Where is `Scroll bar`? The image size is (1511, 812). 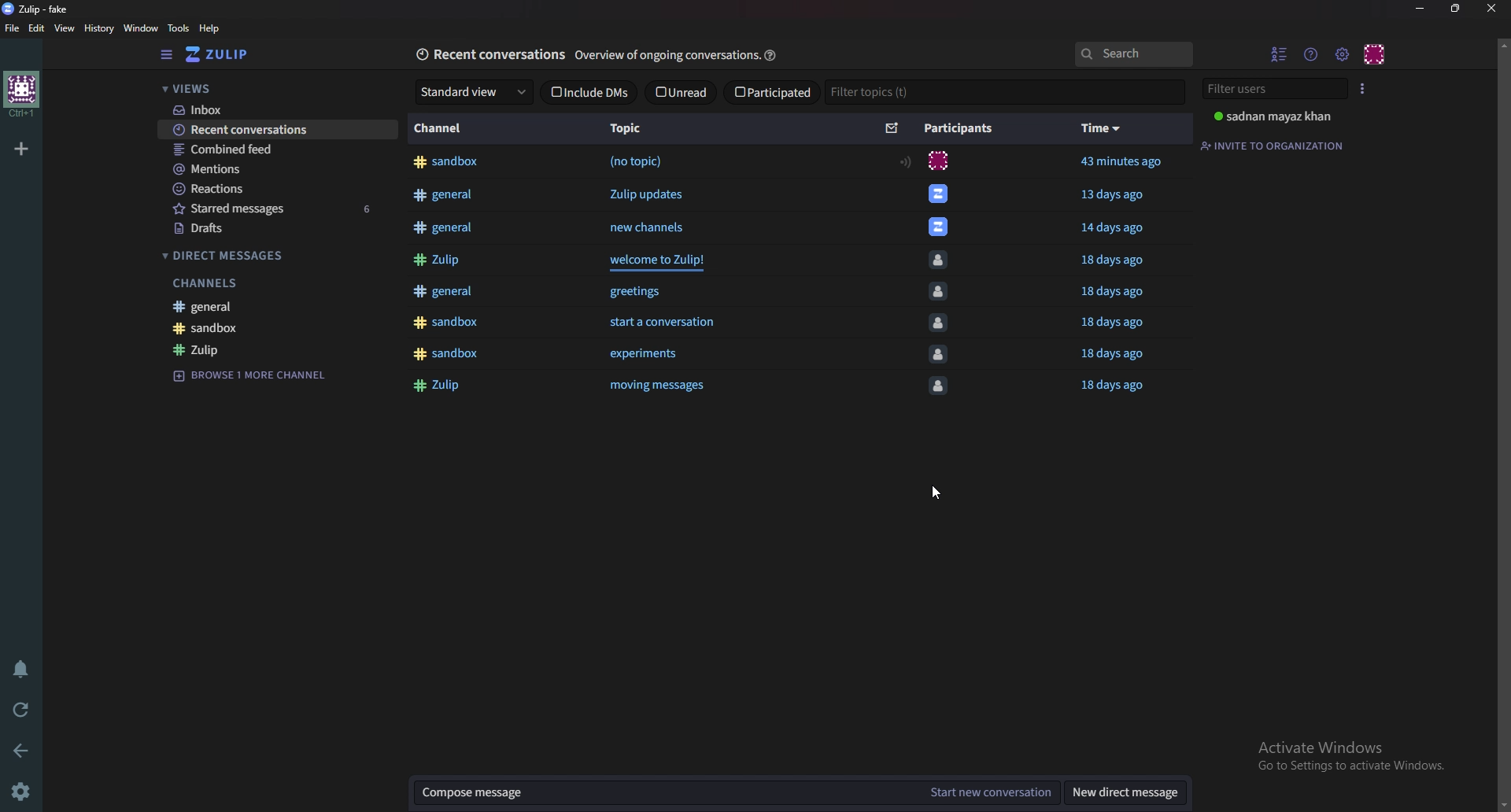 Scroll bar is located at coordinates (1504, 423).